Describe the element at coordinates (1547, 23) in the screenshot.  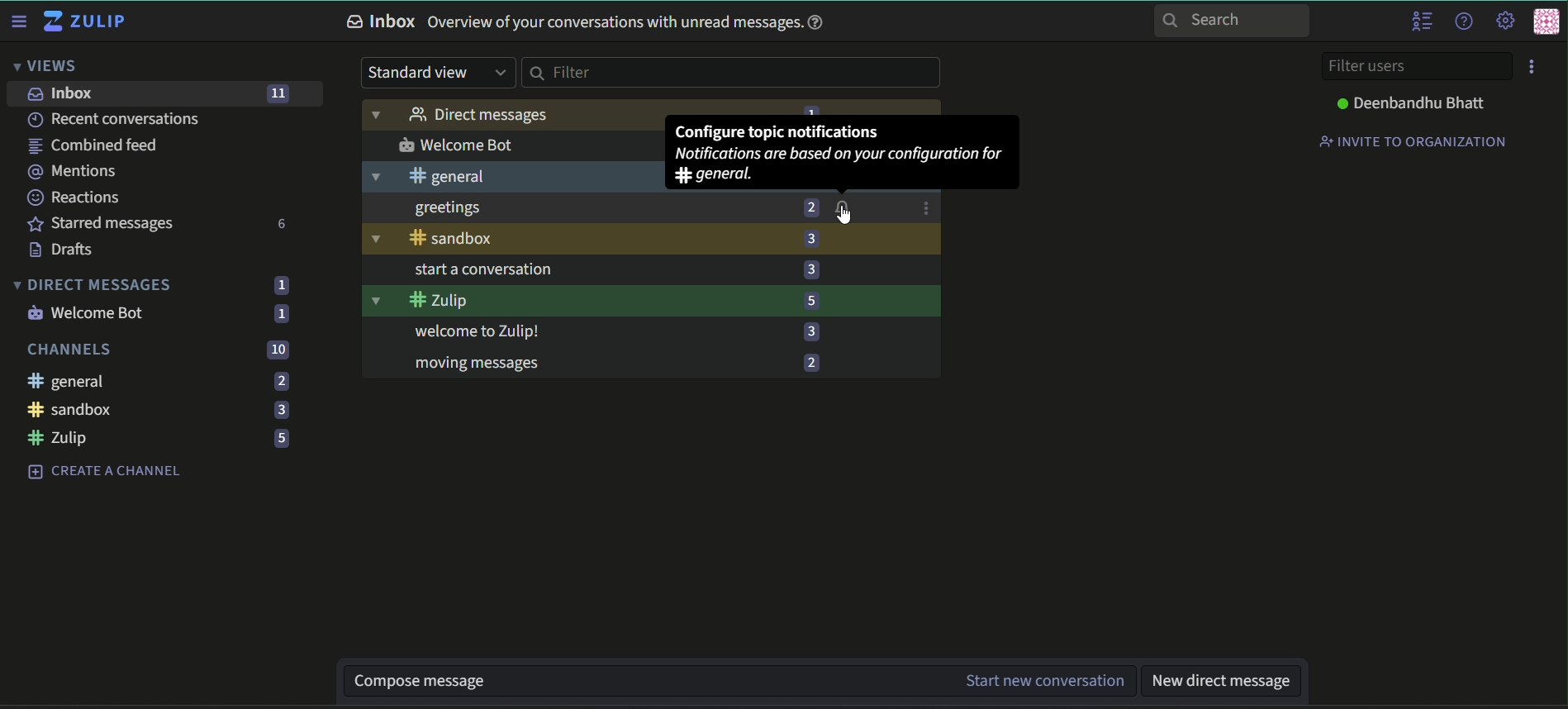
I see `user menu` at that location.